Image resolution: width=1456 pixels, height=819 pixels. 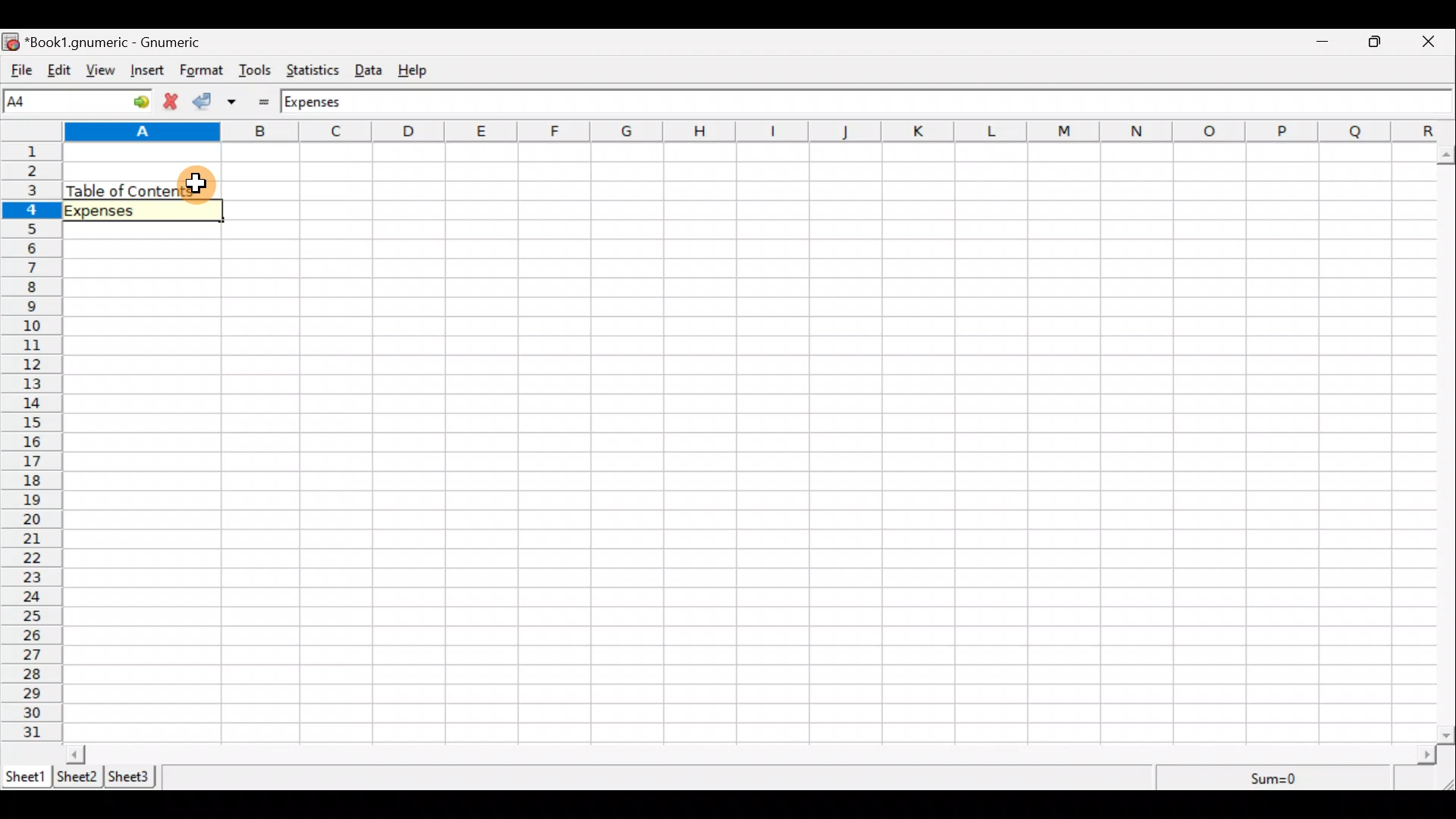 I want to click on Selected cell "Expenses", so click(x=145, y=210).